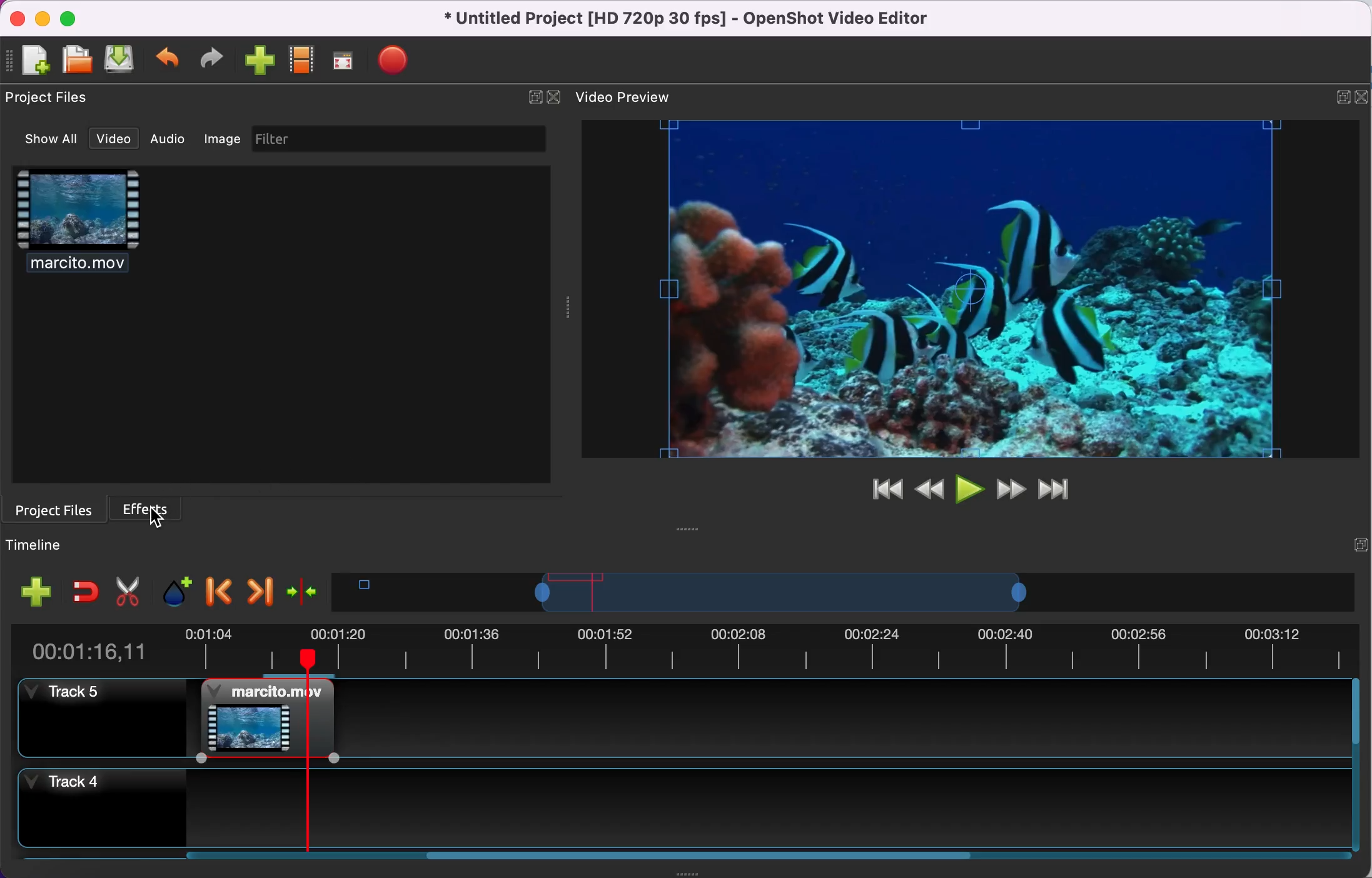  What do you see at coordinates (76, 58) in the screenshot?
I see `open file` at bounding box center [76, 58].